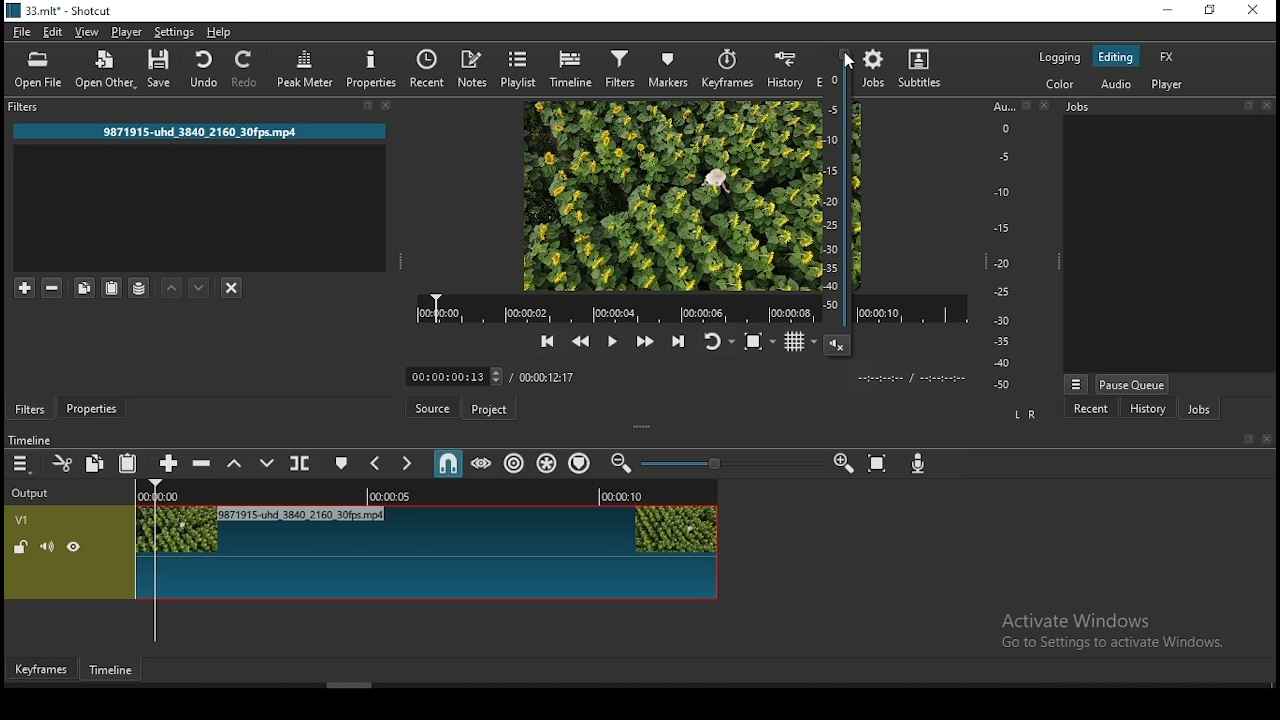 The width and height of the screenshot is (1280, 720). What do you see at coordinates (1095, 409) in the screenshot?
I see `recent` at bounding box center [1095, 409].